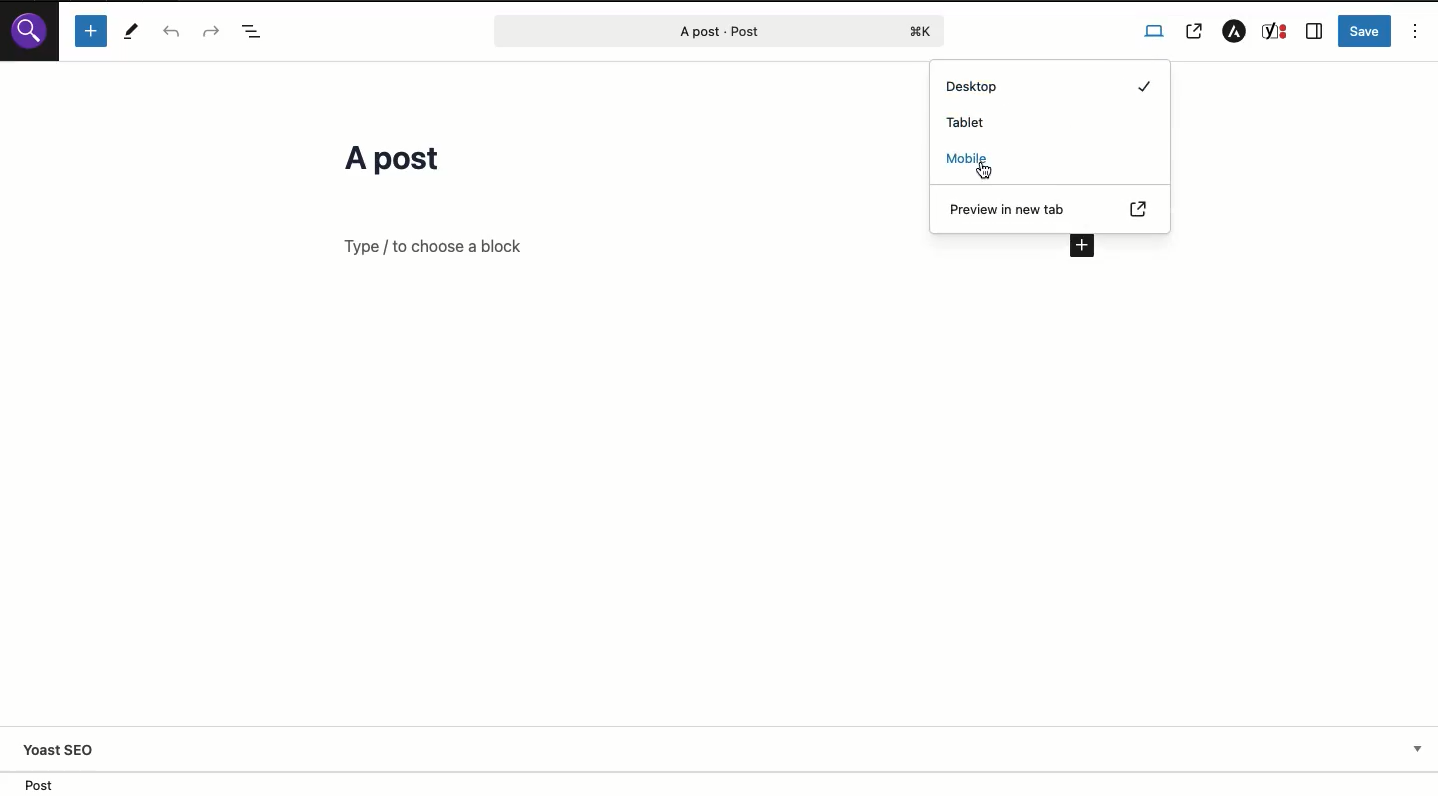 The image size is (1438, 796). I want to click on View post, so click(1198, 31).